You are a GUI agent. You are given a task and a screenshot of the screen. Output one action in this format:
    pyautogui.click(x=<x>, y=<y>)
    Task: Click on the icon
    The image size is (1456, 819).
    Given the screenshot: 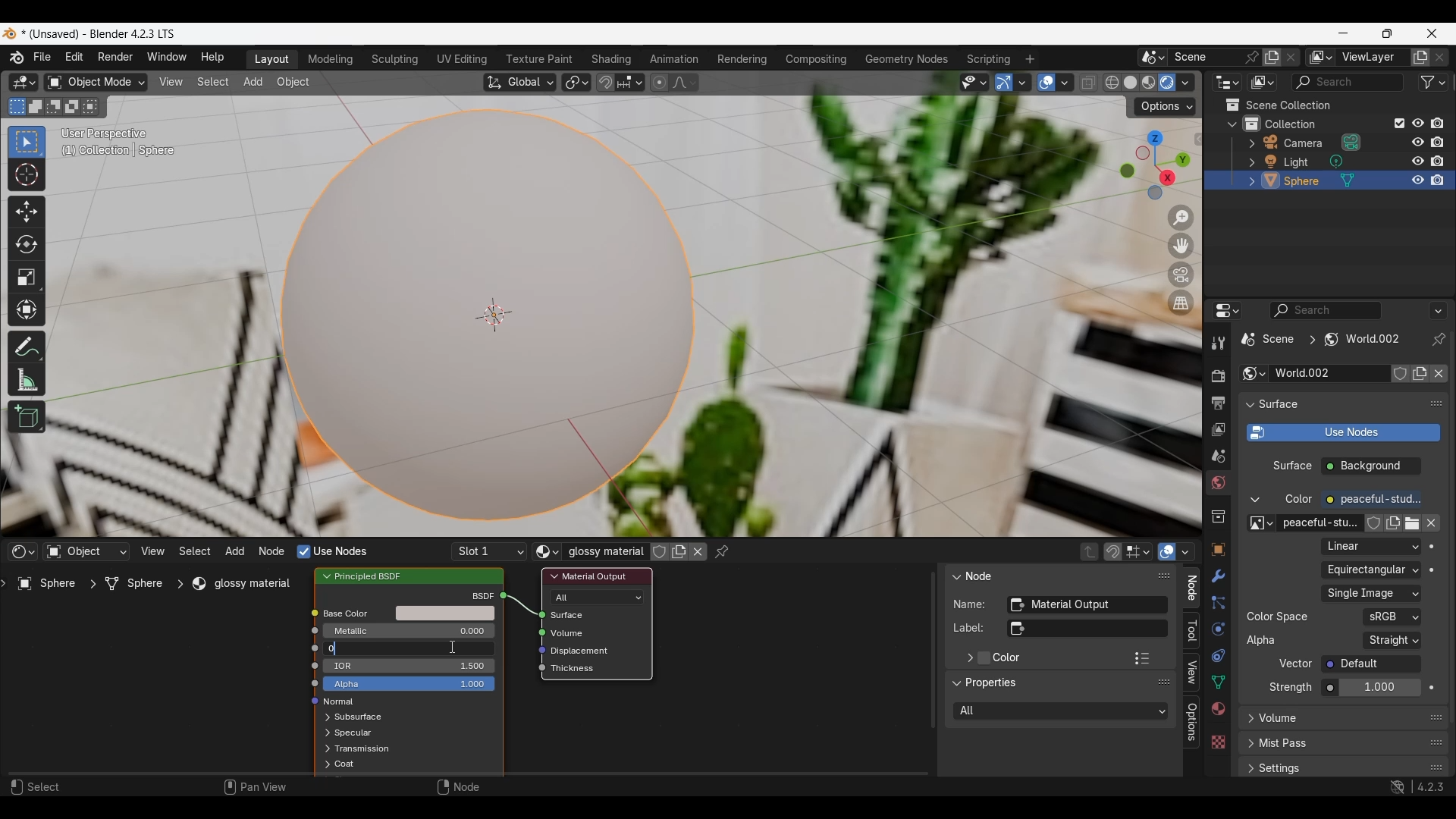 What is the action you would take?
    pyautogui.click(x=311, y=647)
    